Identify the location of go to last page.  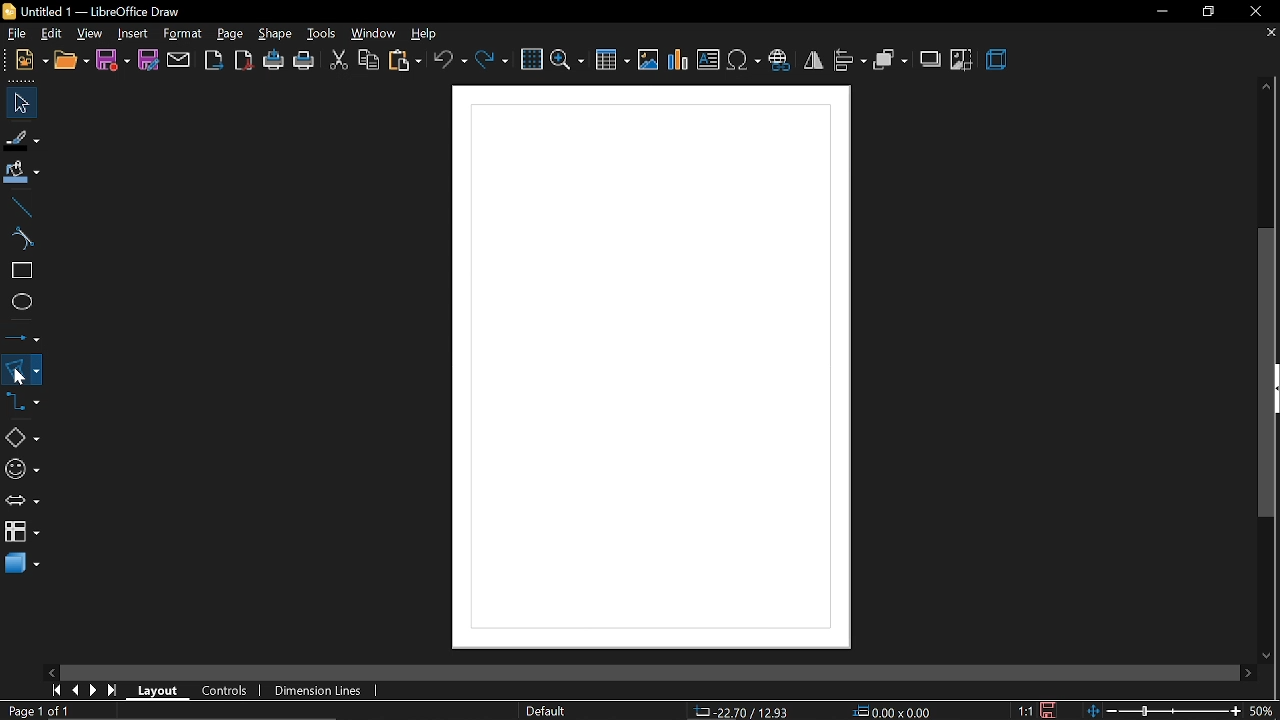
(115, 691).